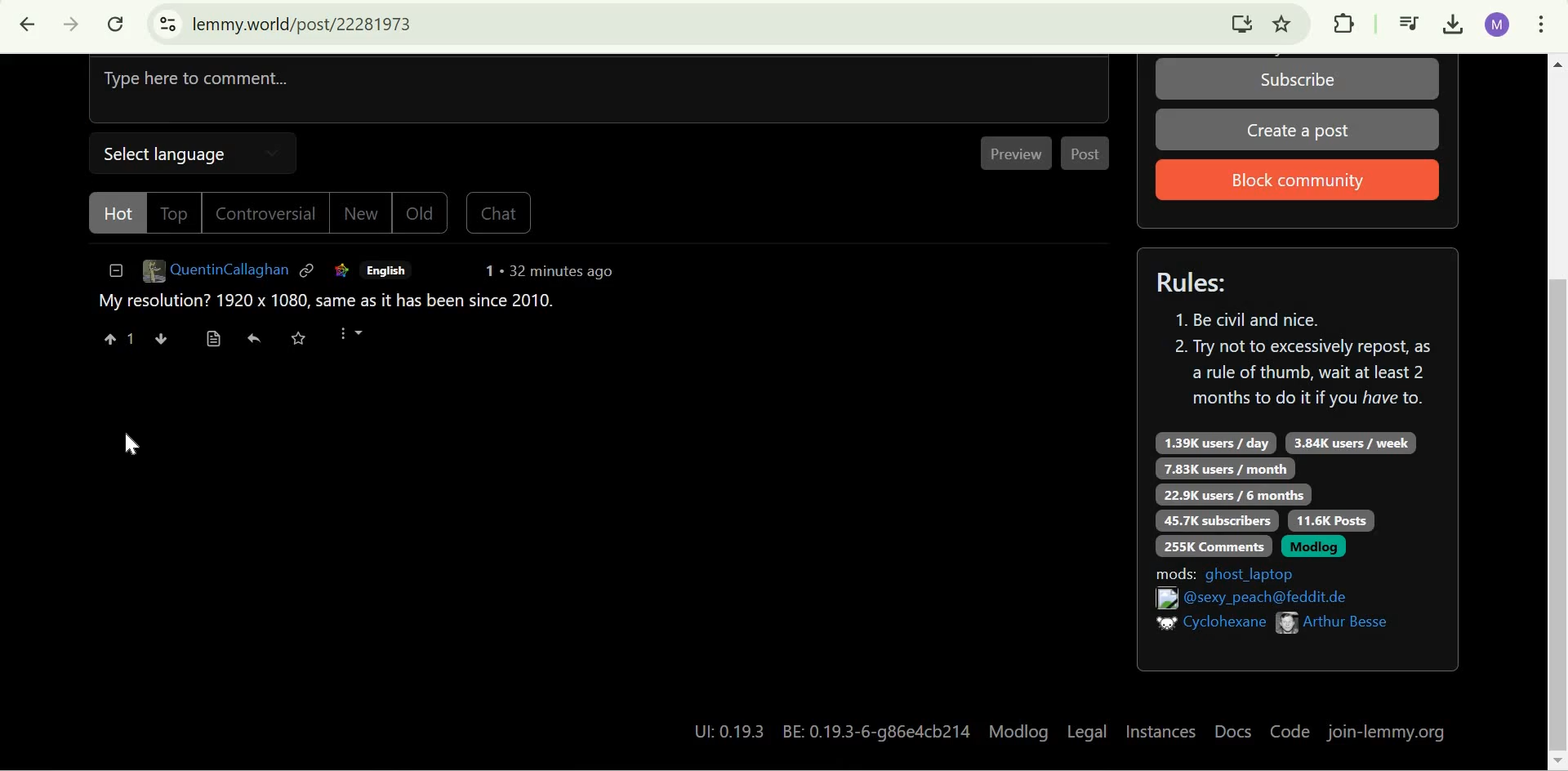 The height and width of the screenshot is (771, 1568). What do you see at coordinates (29, 25) in the screenshot?
I see `Click to go back, hold to see history` at bounding box center [29, 25].